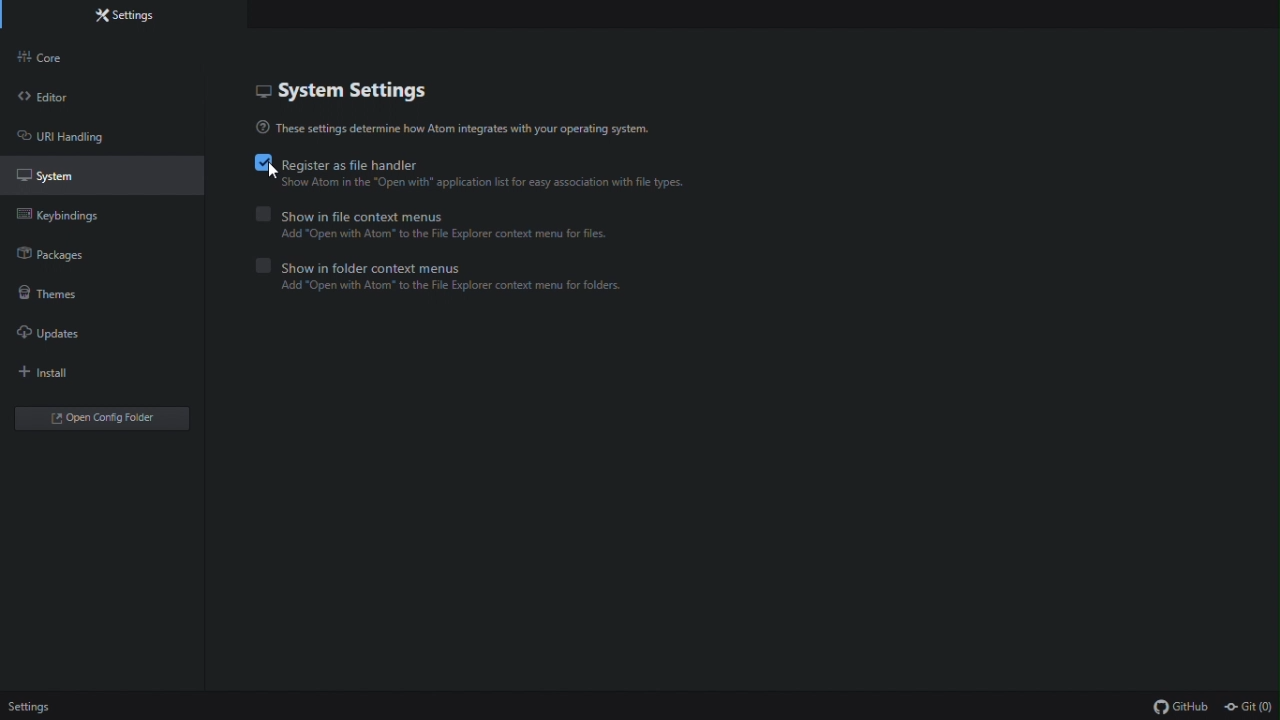 The height and width of the screenshot is (720, 1280). Describe the element at coordinates (487, 185) in the screenshot. I see `Show Atom in the “Open with" application list for easy association with file types.` at that location.